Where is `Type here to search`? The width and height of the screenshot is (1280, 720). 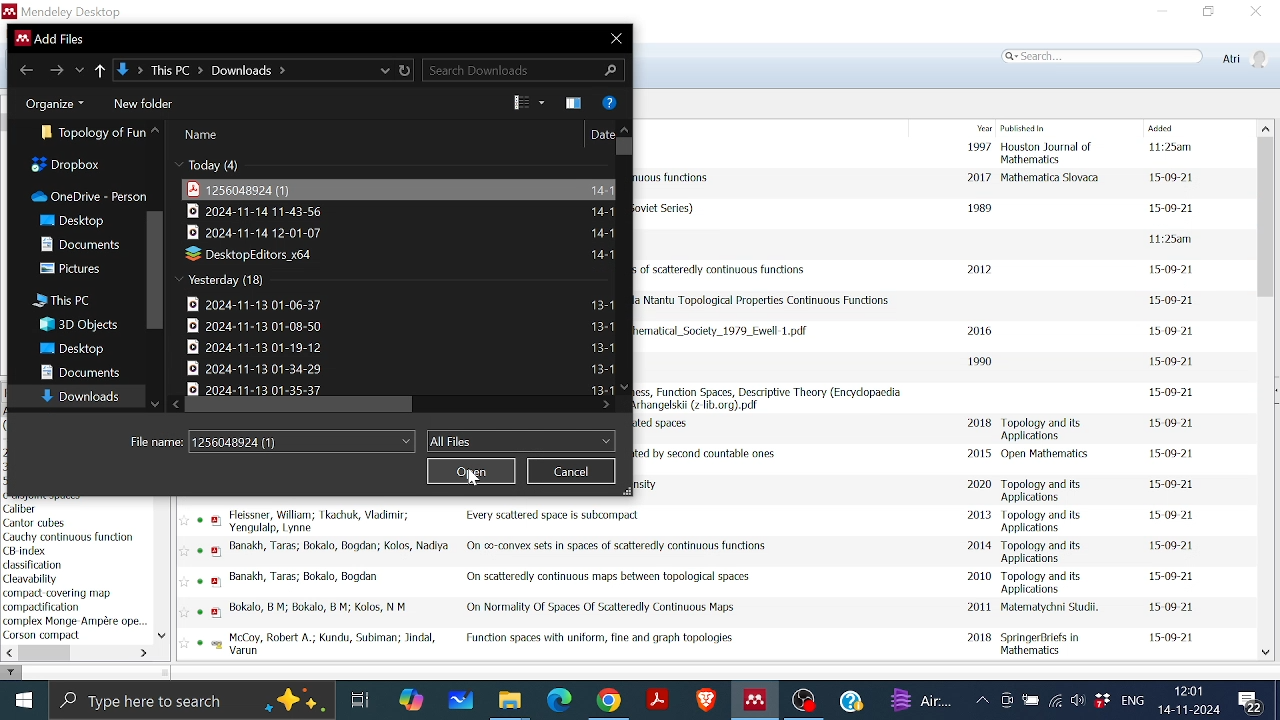 Type here to search is located at coordinates (192, 701).